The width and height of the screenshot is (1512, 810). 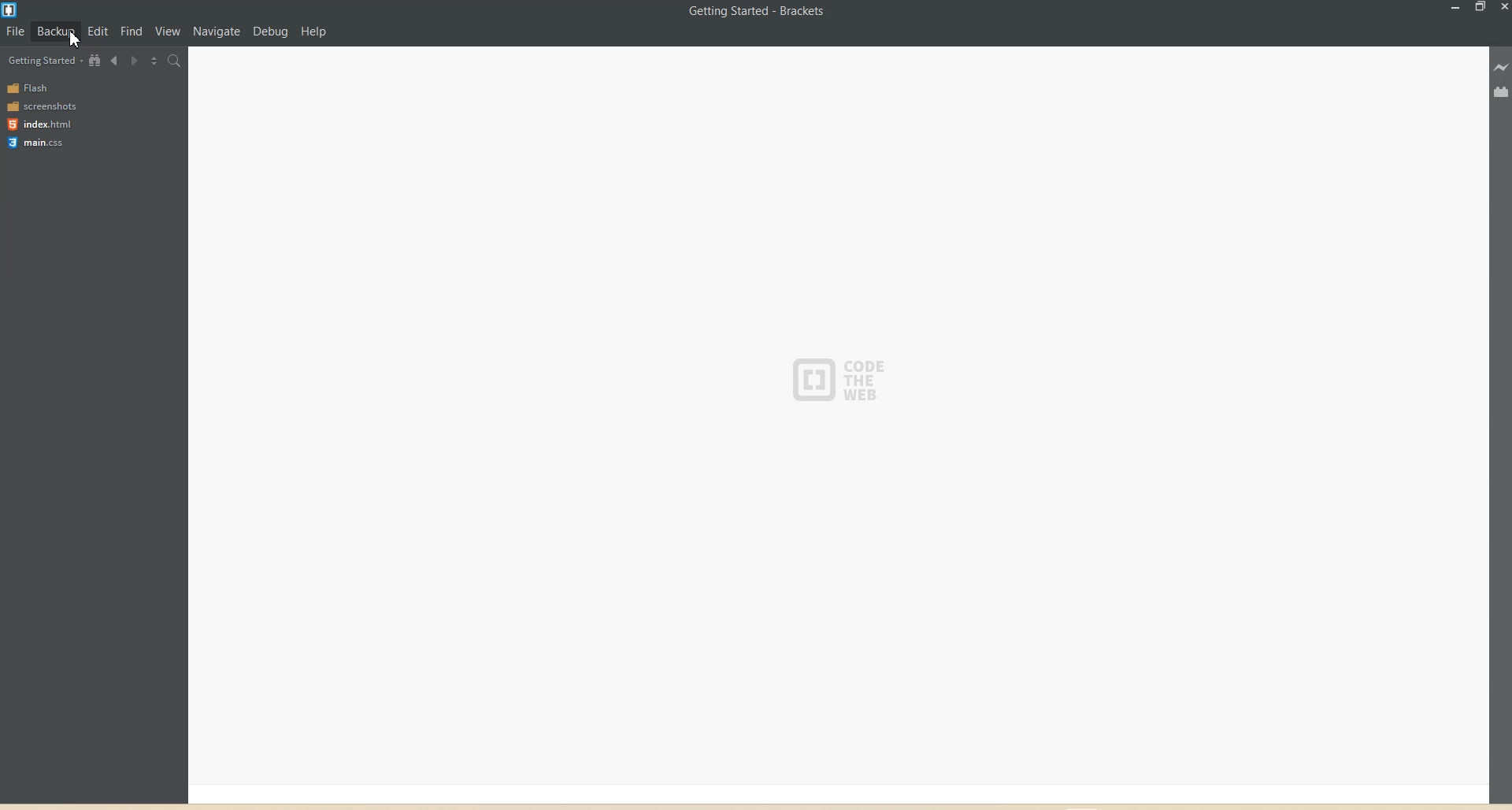 I want to click on Navigation, so click(x=215, y=32).